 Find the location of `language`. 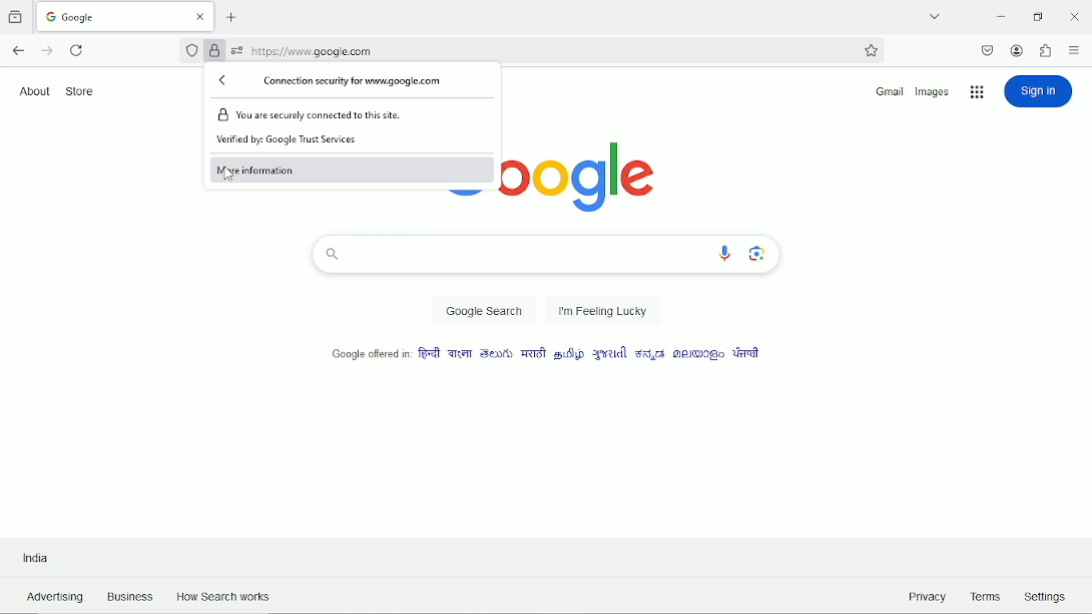

language is located at coordinates (531, 353).